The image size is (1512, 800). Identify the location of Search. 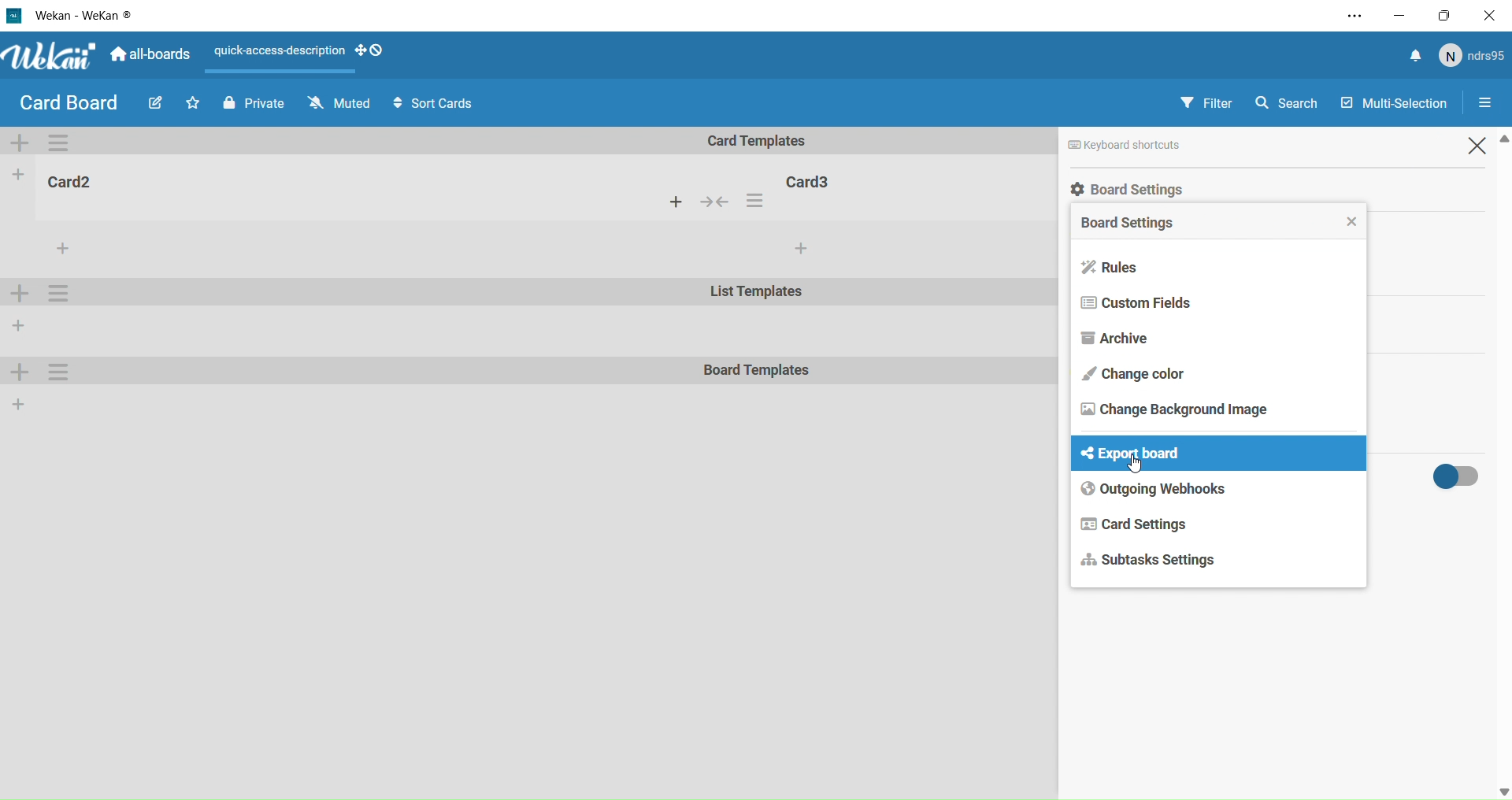
(1292, 101).